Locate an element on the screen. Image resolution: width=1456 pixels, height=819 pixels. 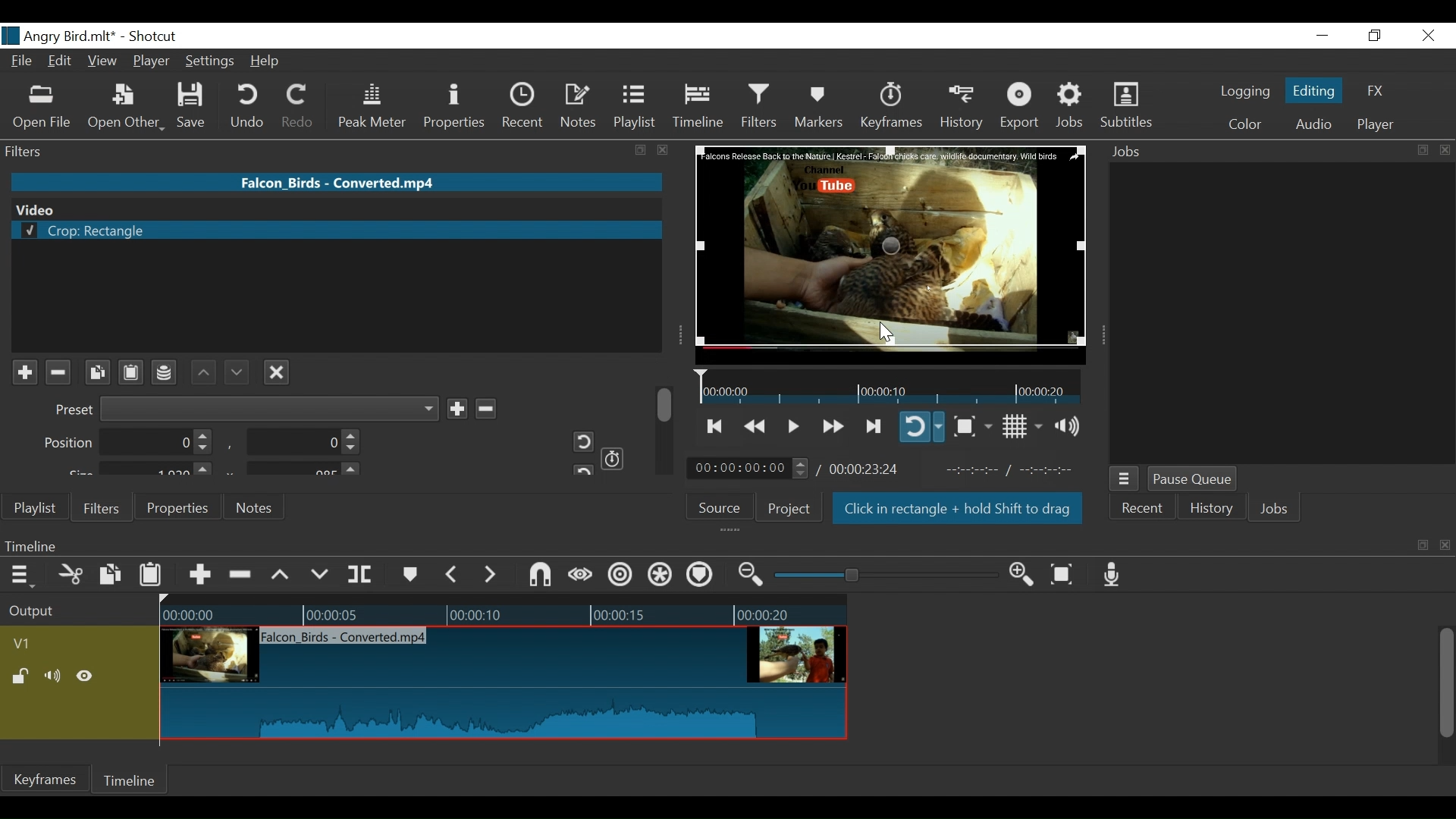
Scrub while dragging is located at coordinates (583, 576).